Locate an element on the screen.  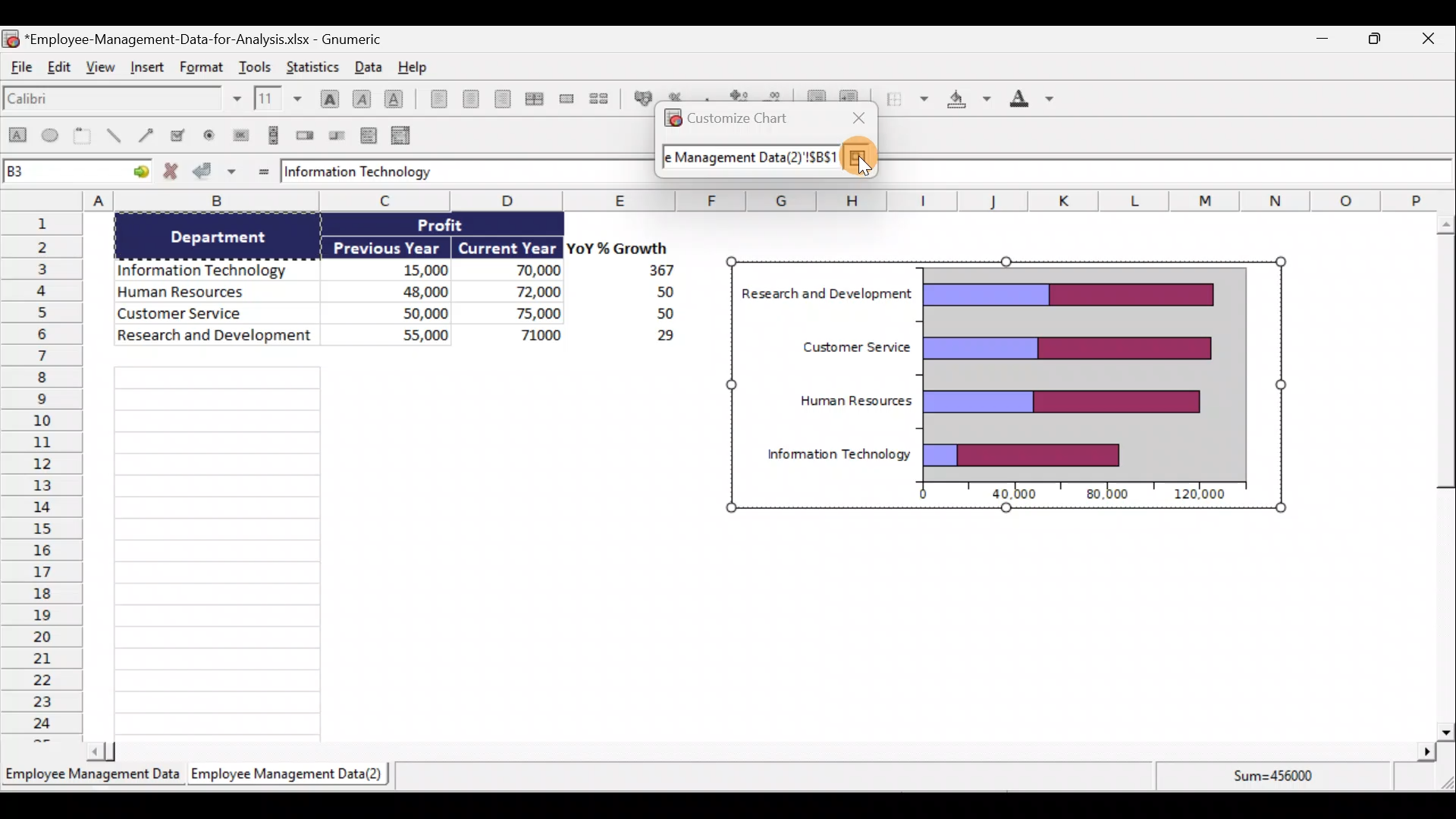
Borders is located at coordinates (906, 102).